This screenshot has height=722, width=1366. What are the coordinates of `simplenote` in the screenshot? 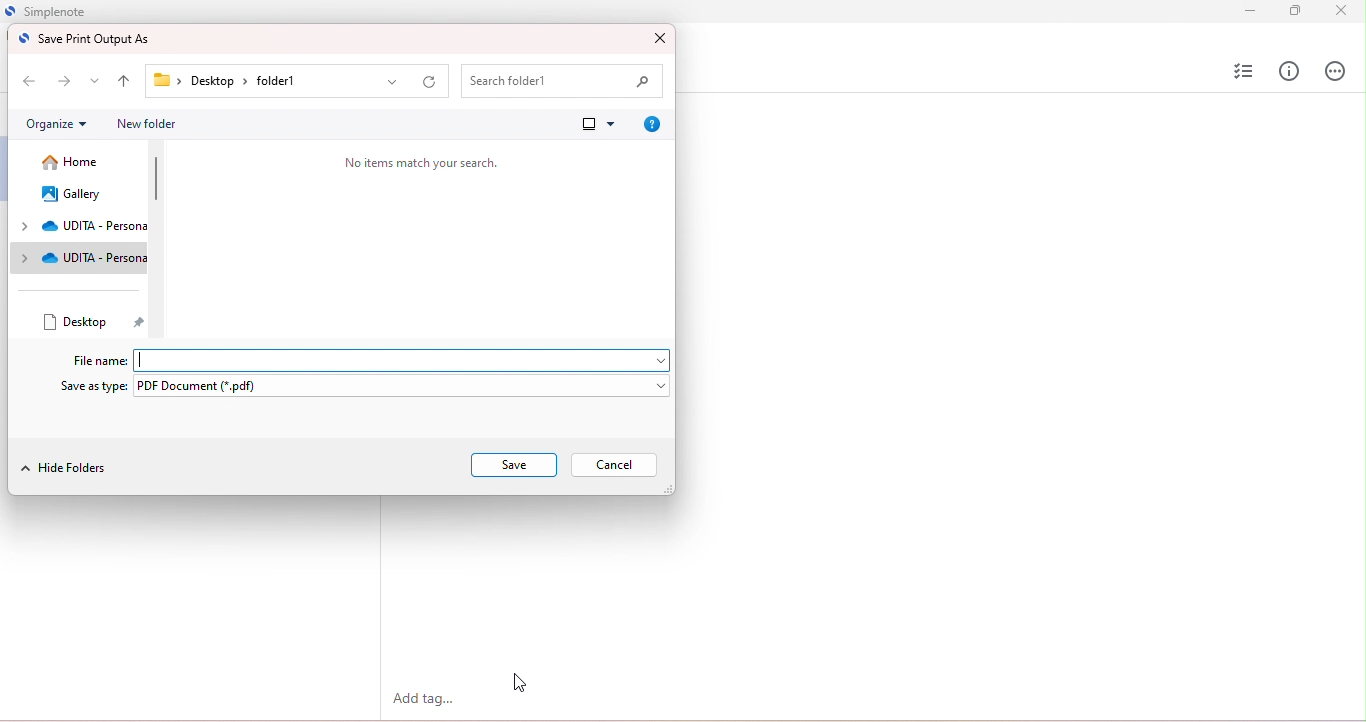 It's located at (71, 11).